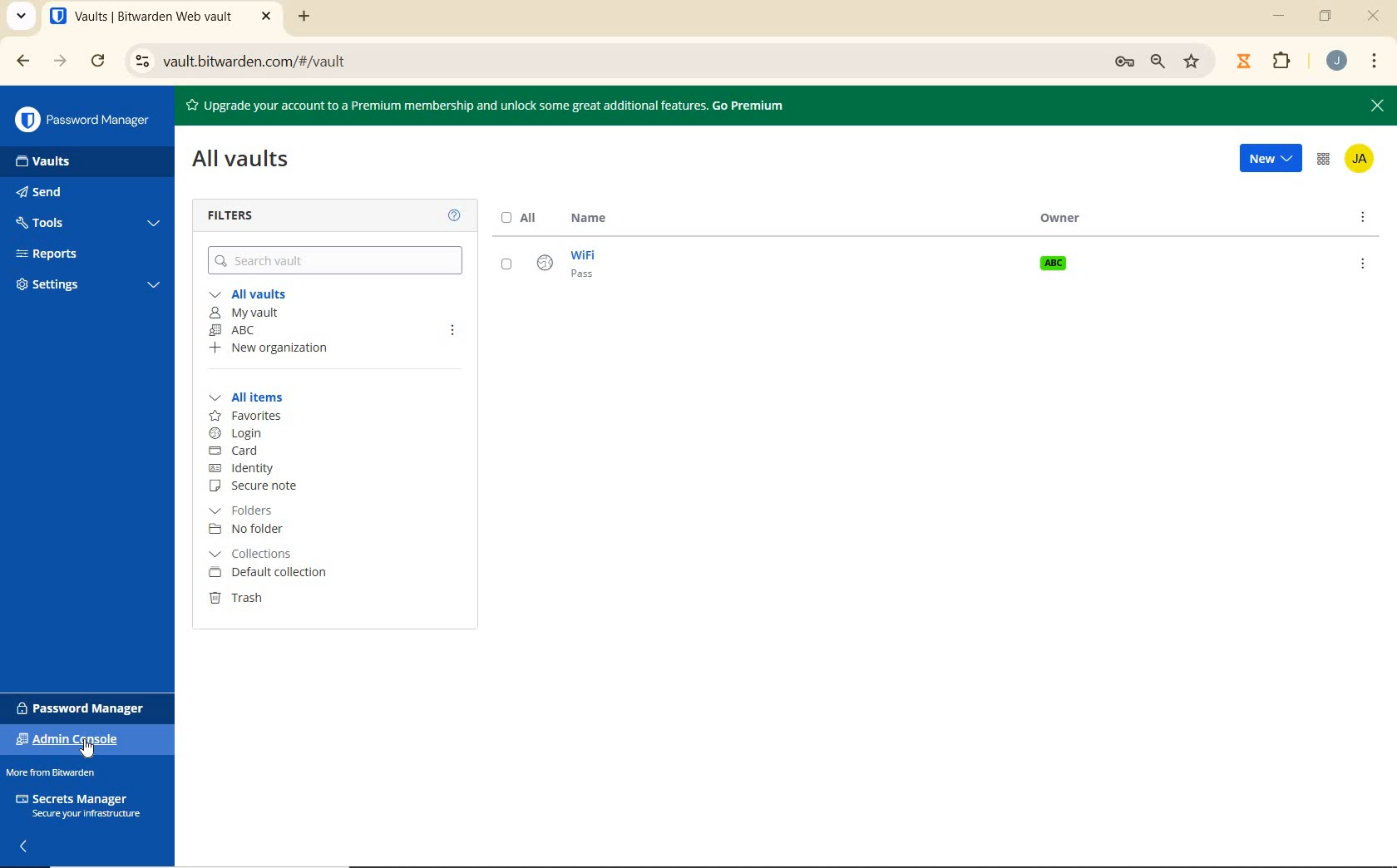 The width and height of the screenshot is (1397, 868). Describe the element at coordinates (265, 554) in the screenshot. I see `COLLECTIONS` at that location.